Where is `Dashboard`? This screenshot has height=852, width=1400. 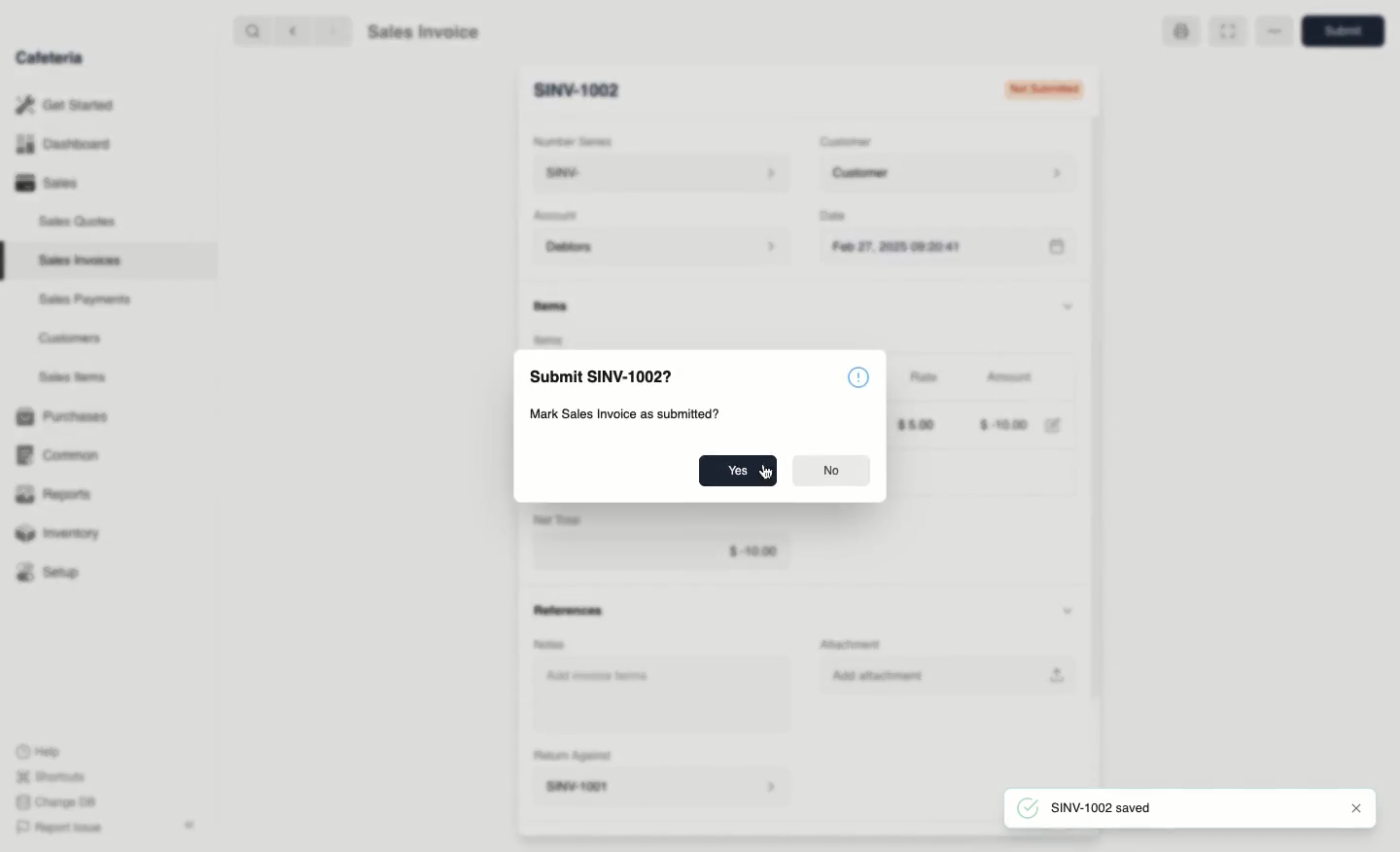
Dashboard is located at coordinates (63, 144).